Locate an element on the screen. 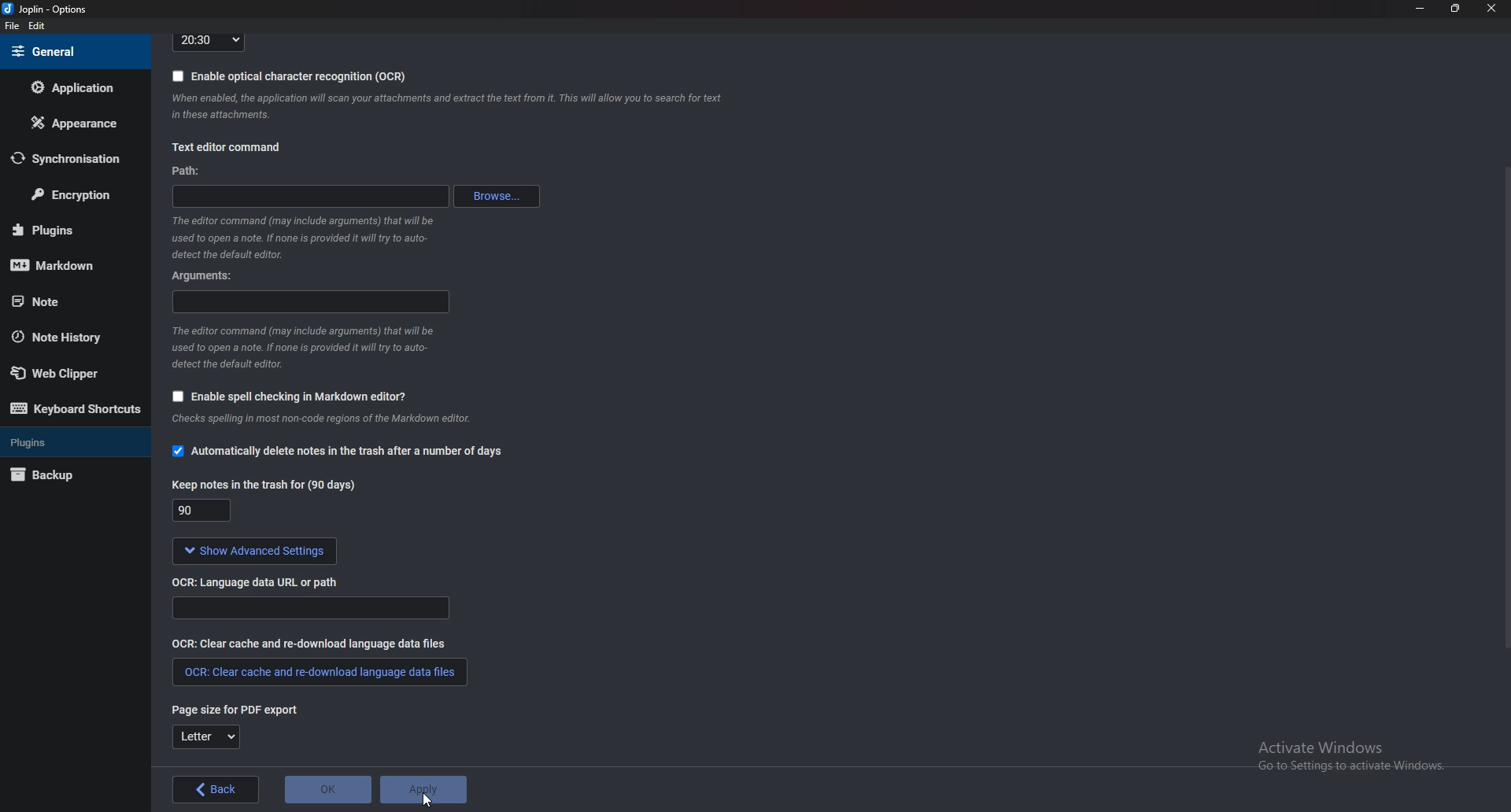 The image size is (1511, 812). close is located at coordinates (1489, 8).